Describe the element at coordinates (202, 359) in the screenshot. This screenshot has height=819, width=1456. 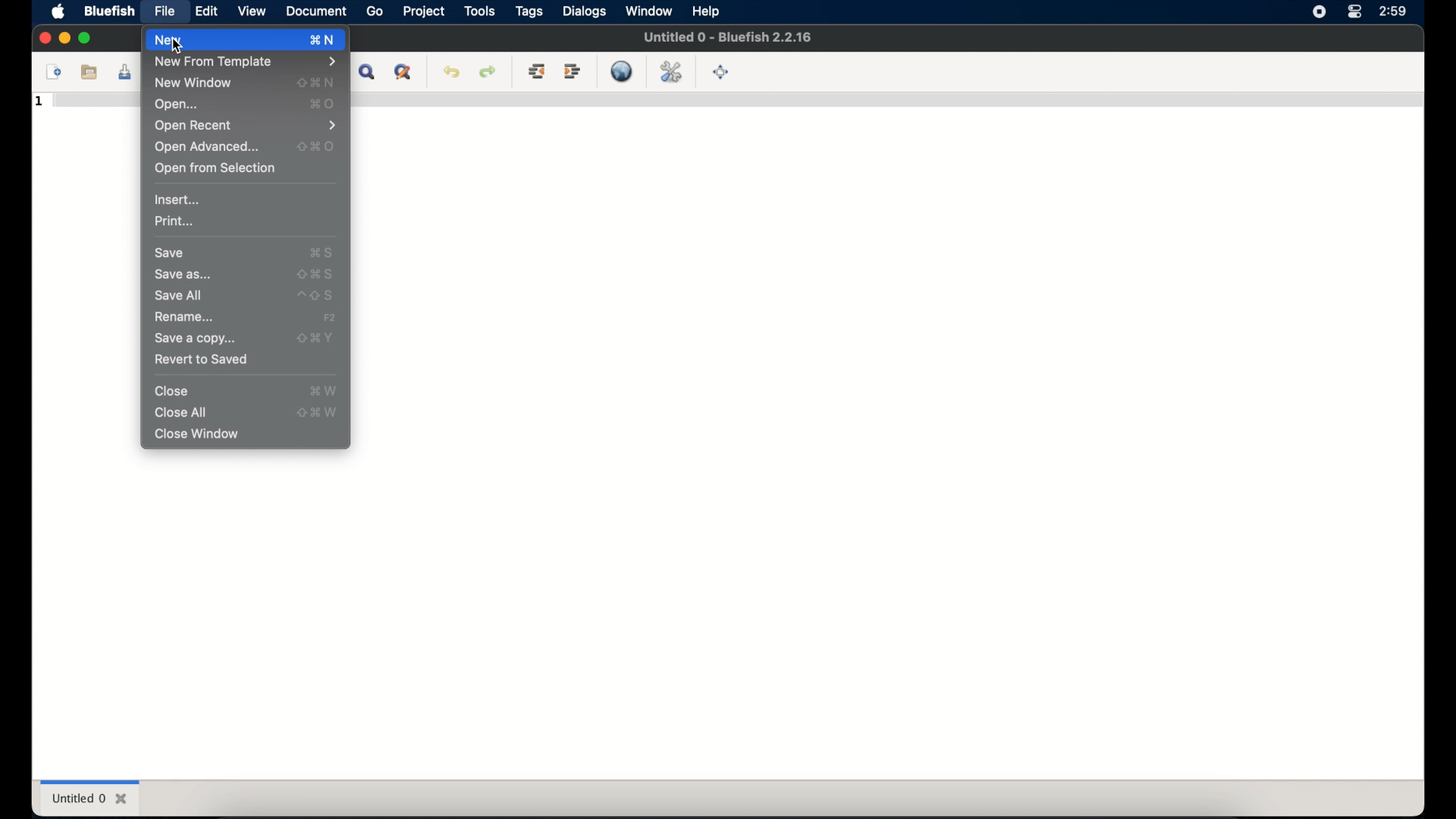
I see `revert to saved` at that location.